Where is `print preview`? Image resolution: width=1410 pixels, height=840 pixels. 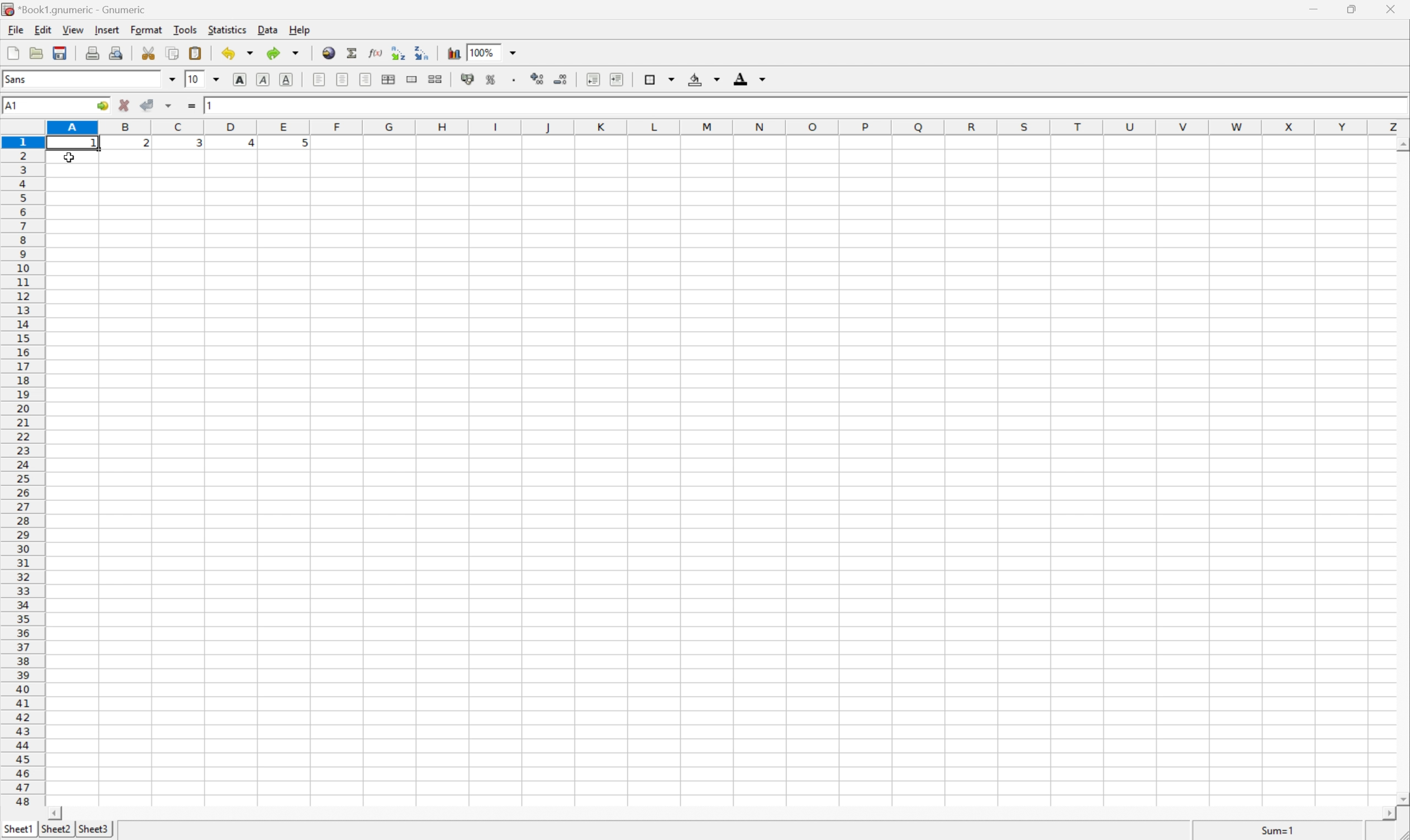
print preview is located at coordinates (117, 52).